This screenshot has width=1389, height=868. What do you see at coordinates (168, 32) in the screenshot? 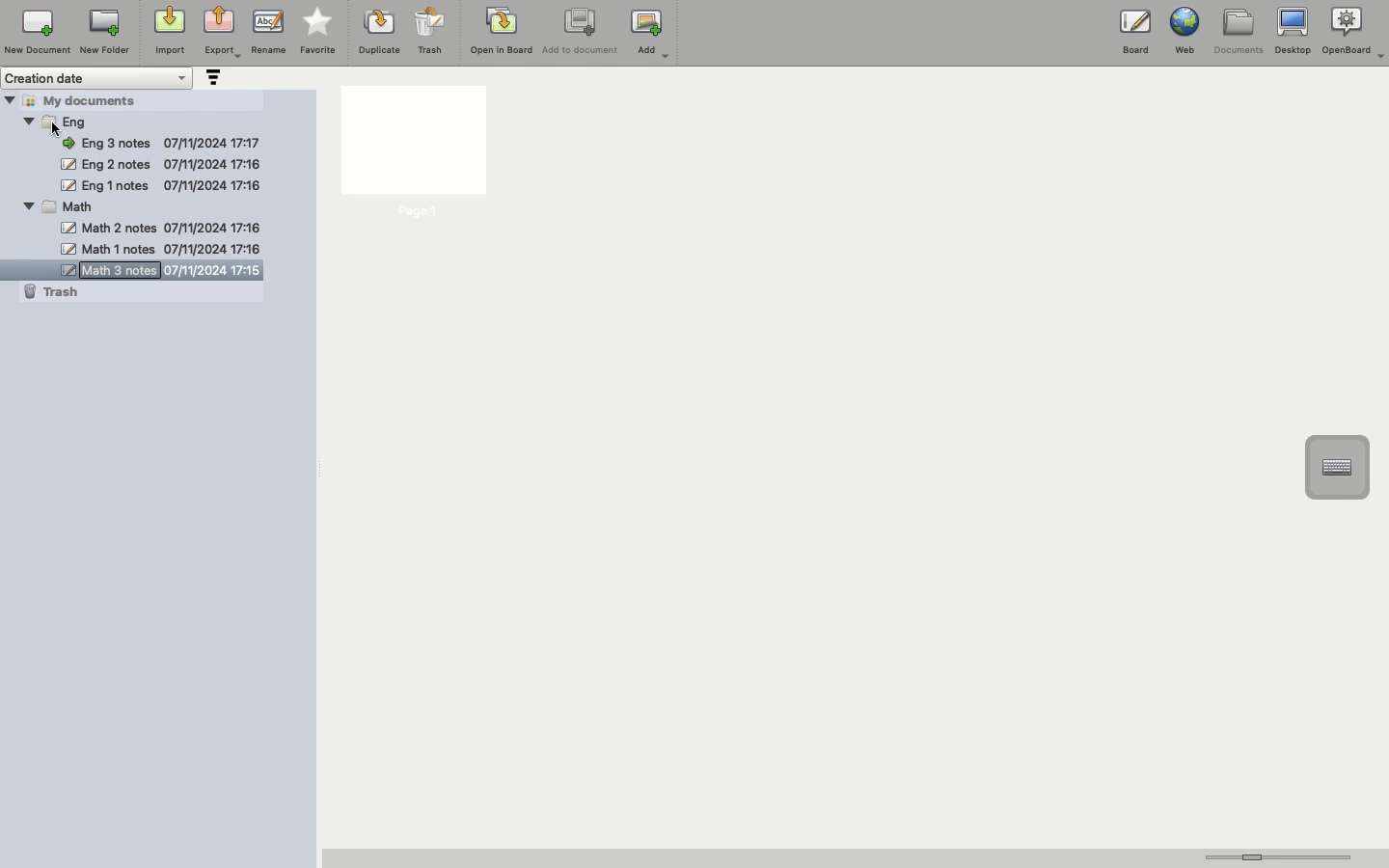
I see `Import` at bounding box center [168, 32].